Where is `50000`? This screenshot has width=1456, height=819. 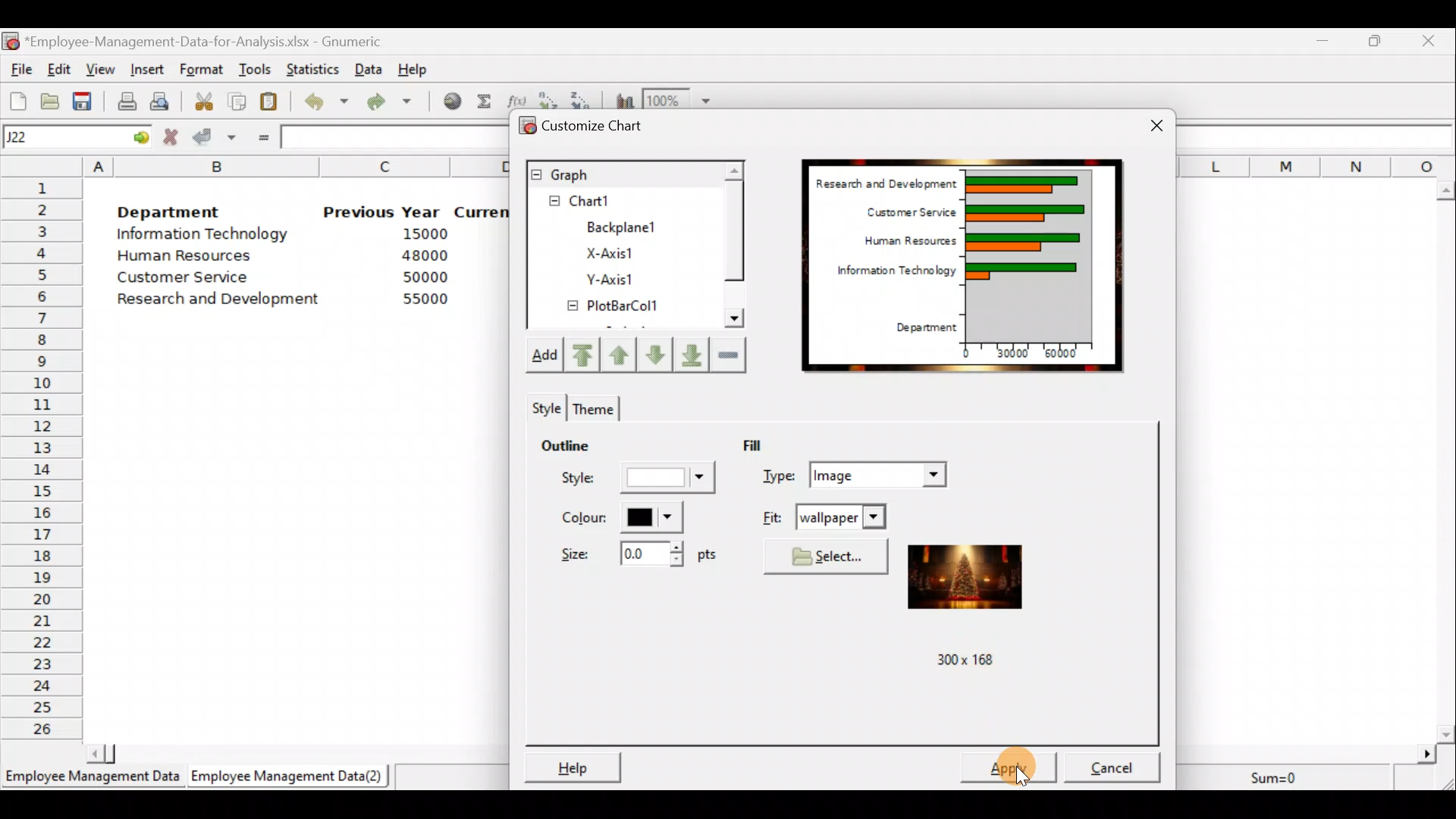
50000 is located at coordinates (422, 277).